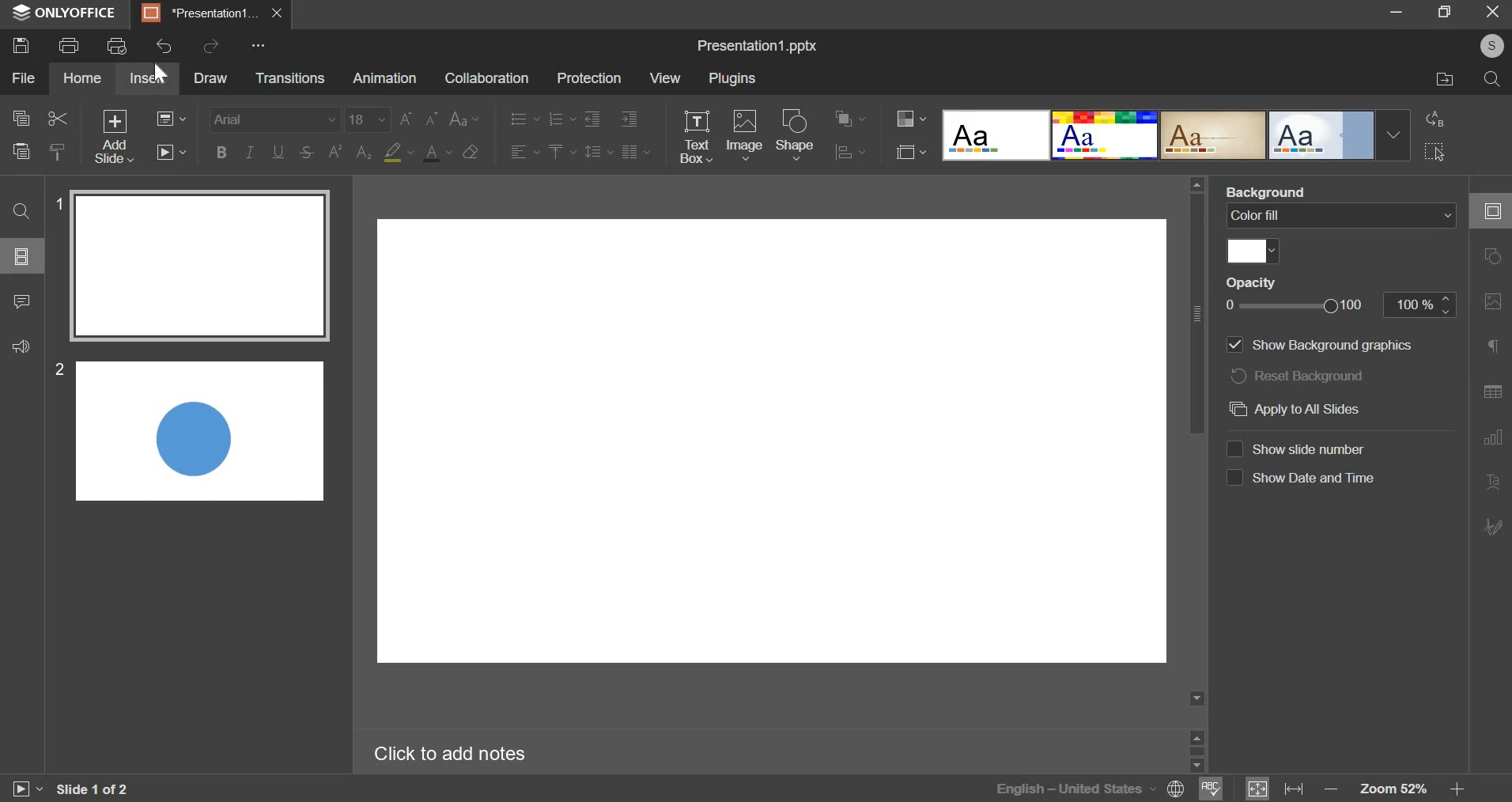  What do you see at coordinates (1213, 136) in the screenshot?
I see `Word art` at bounding box center [1213, 136].